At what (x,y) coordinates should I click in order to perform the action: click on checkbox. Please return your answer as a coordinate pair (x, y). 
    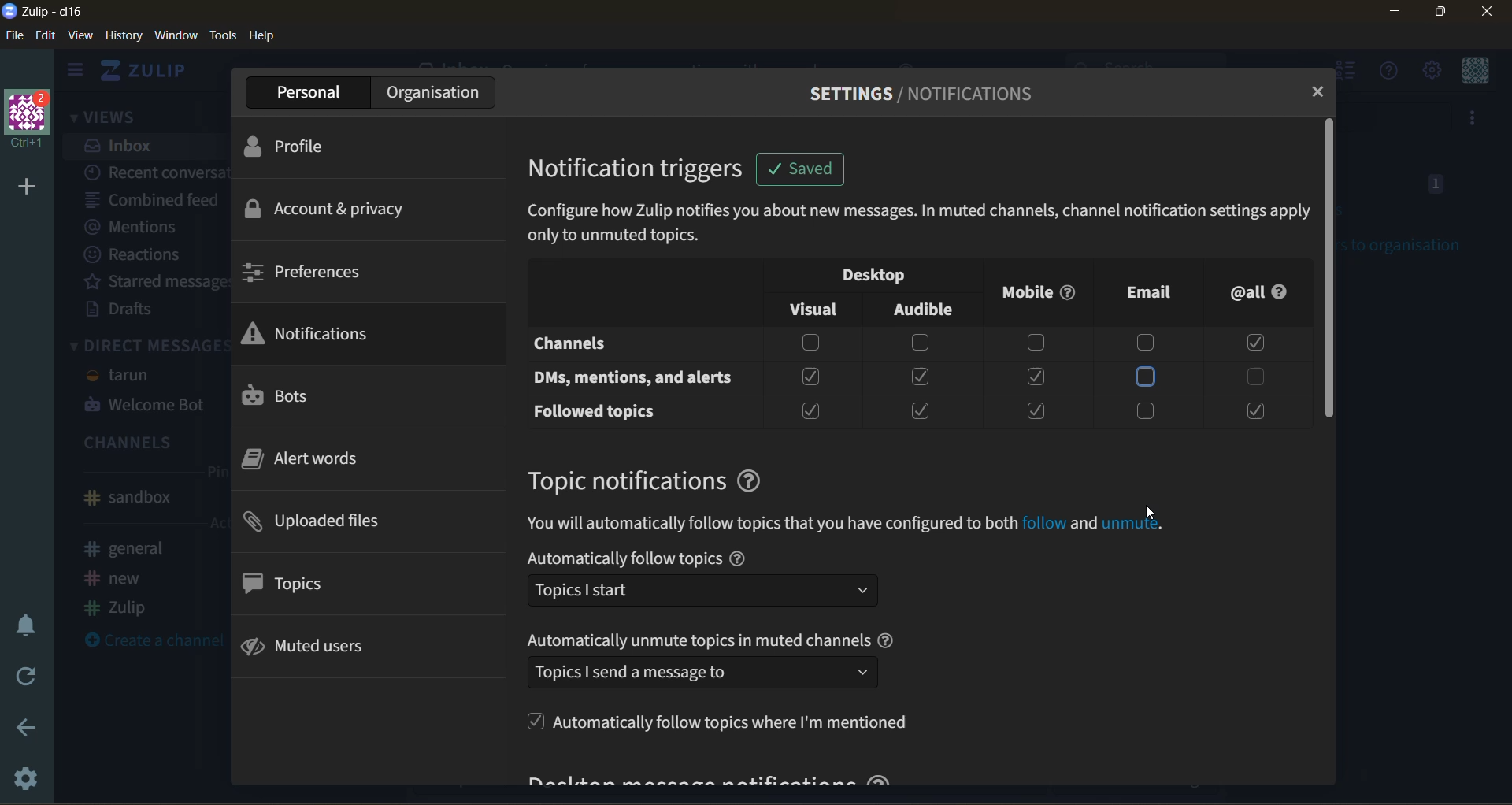
    Looking at the image, I should click on (918, 343).